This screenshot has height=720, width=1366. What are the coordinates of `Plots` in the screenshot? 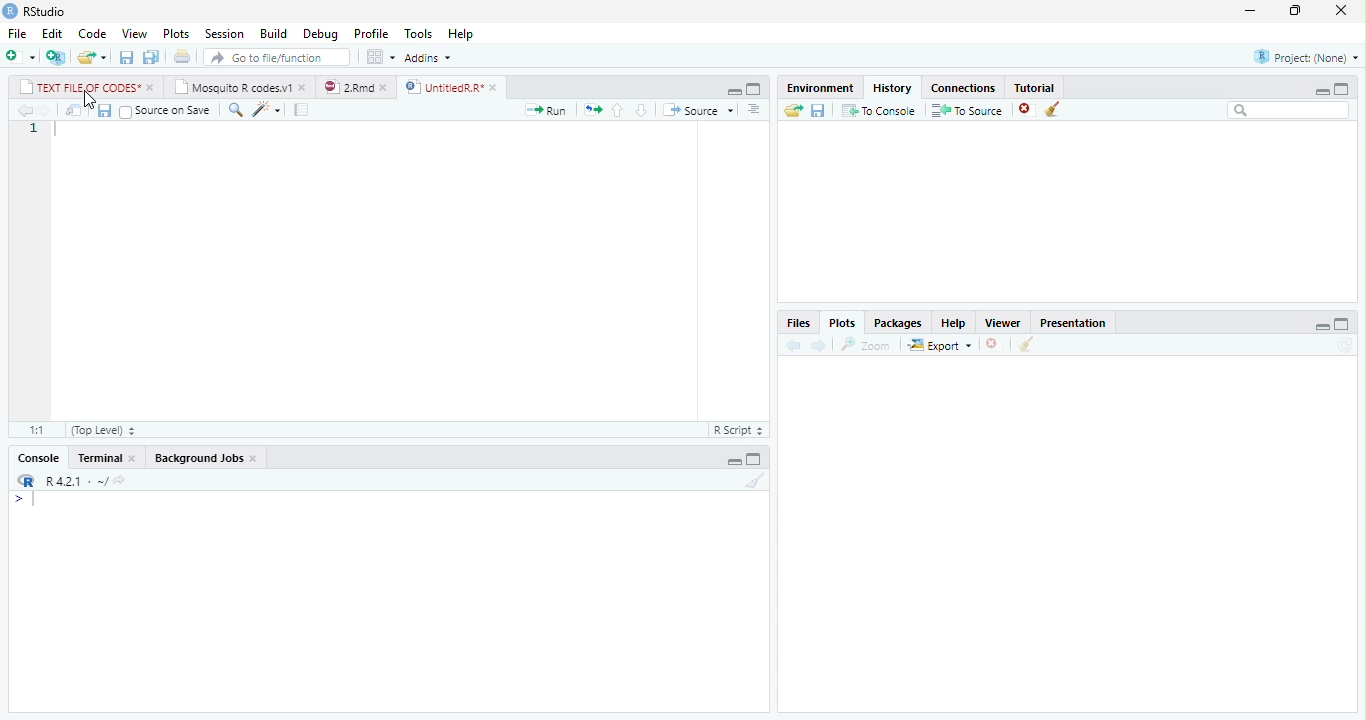 It's located at (842, 323).